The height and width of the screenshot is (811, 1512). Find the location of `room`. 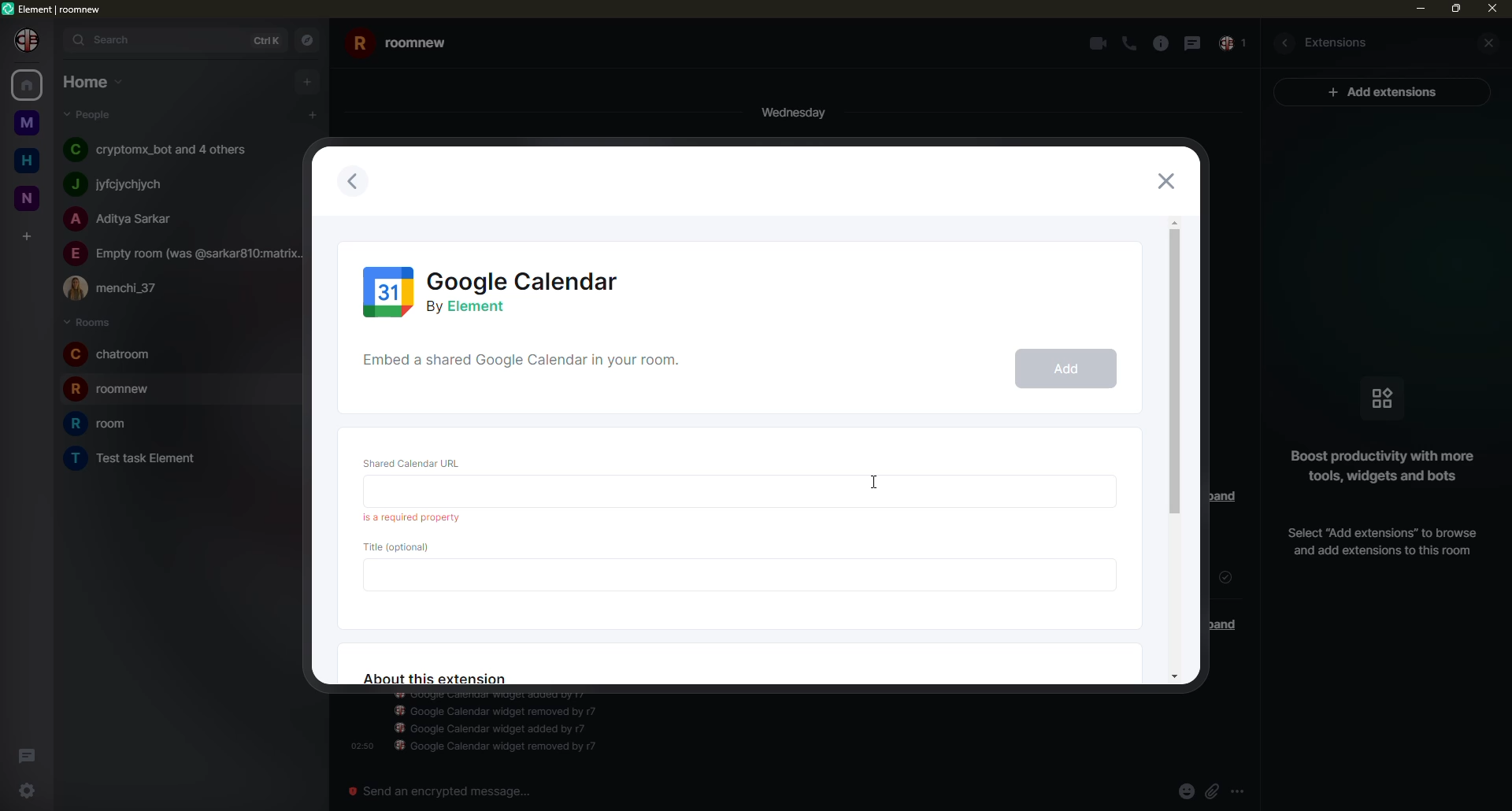

room is located at coordinates (30, 198).